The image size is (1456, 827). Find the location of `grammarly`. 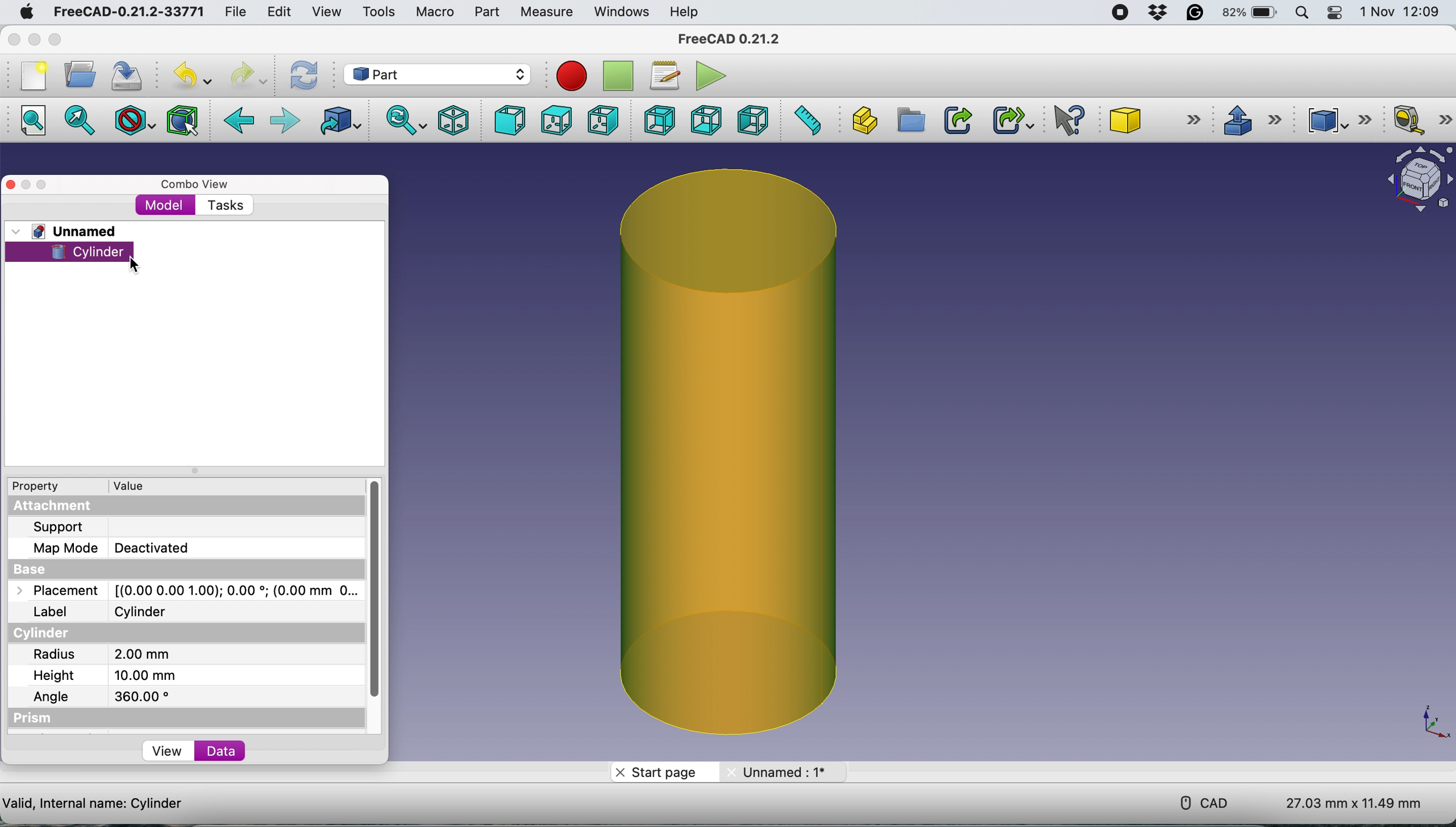

grammarly is located at coordinates (1197, 14).